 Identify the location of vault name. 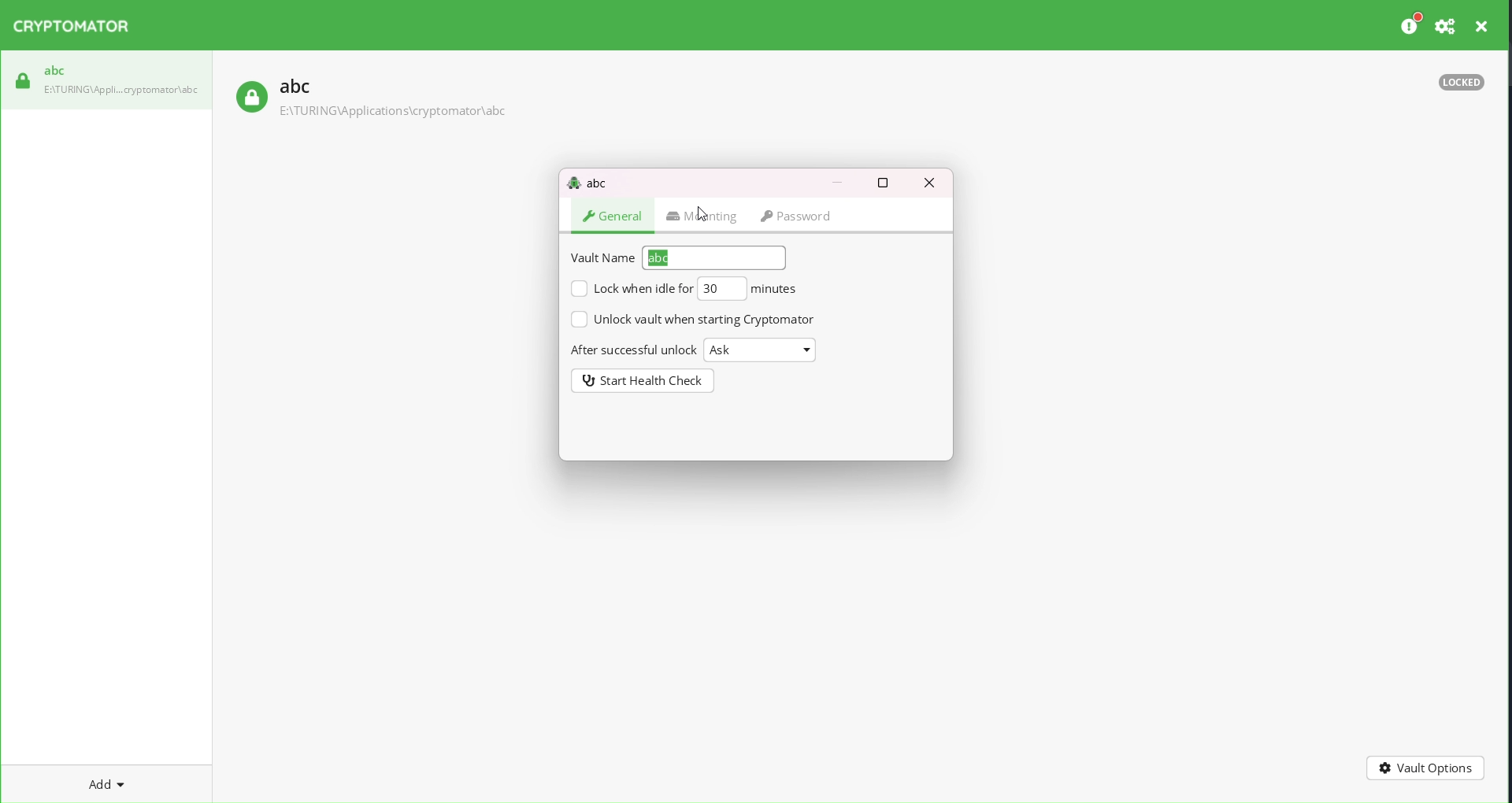
(602, 257).